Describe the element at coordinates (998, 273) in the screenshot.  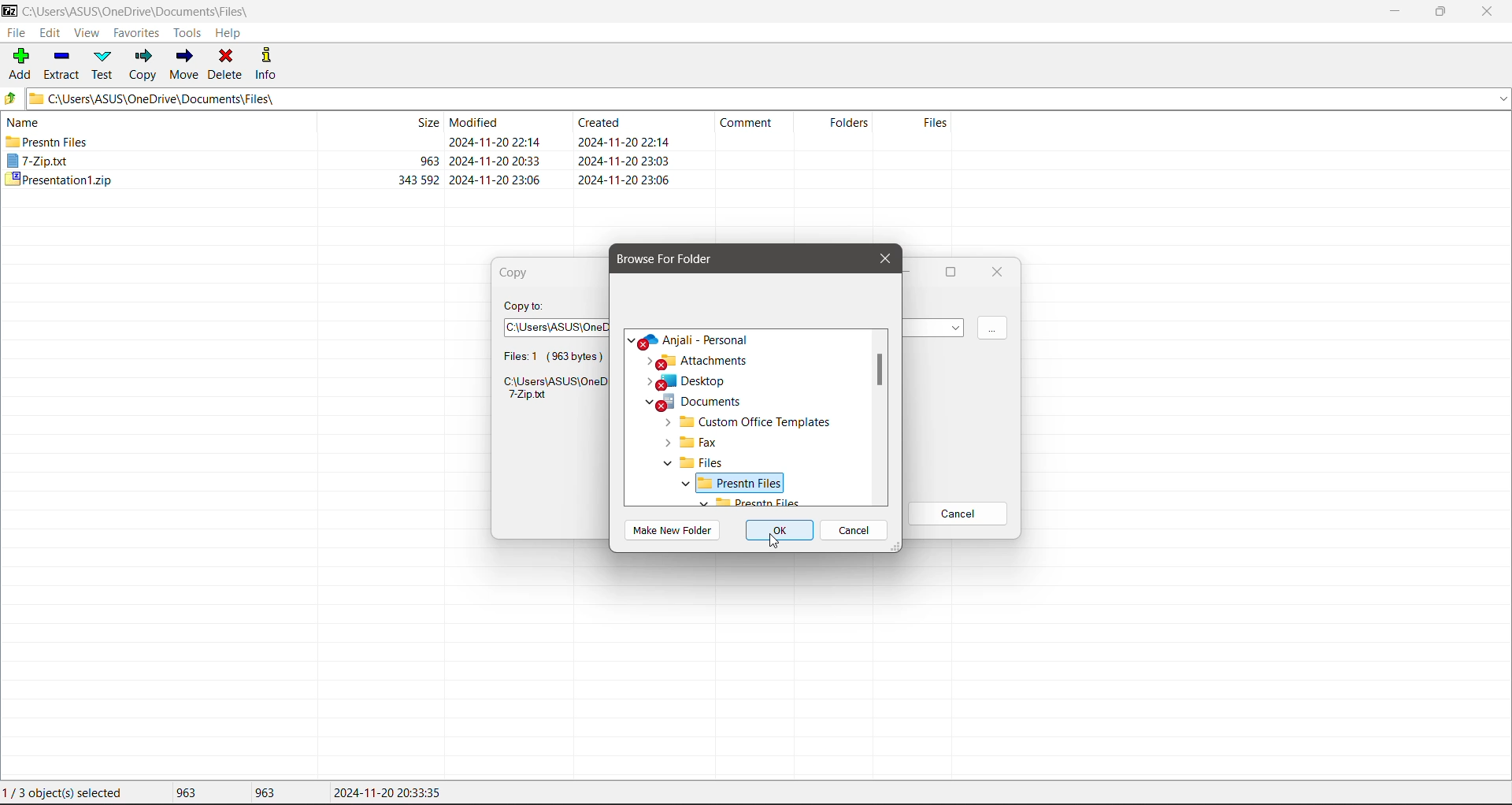
I see `Close` at that location.